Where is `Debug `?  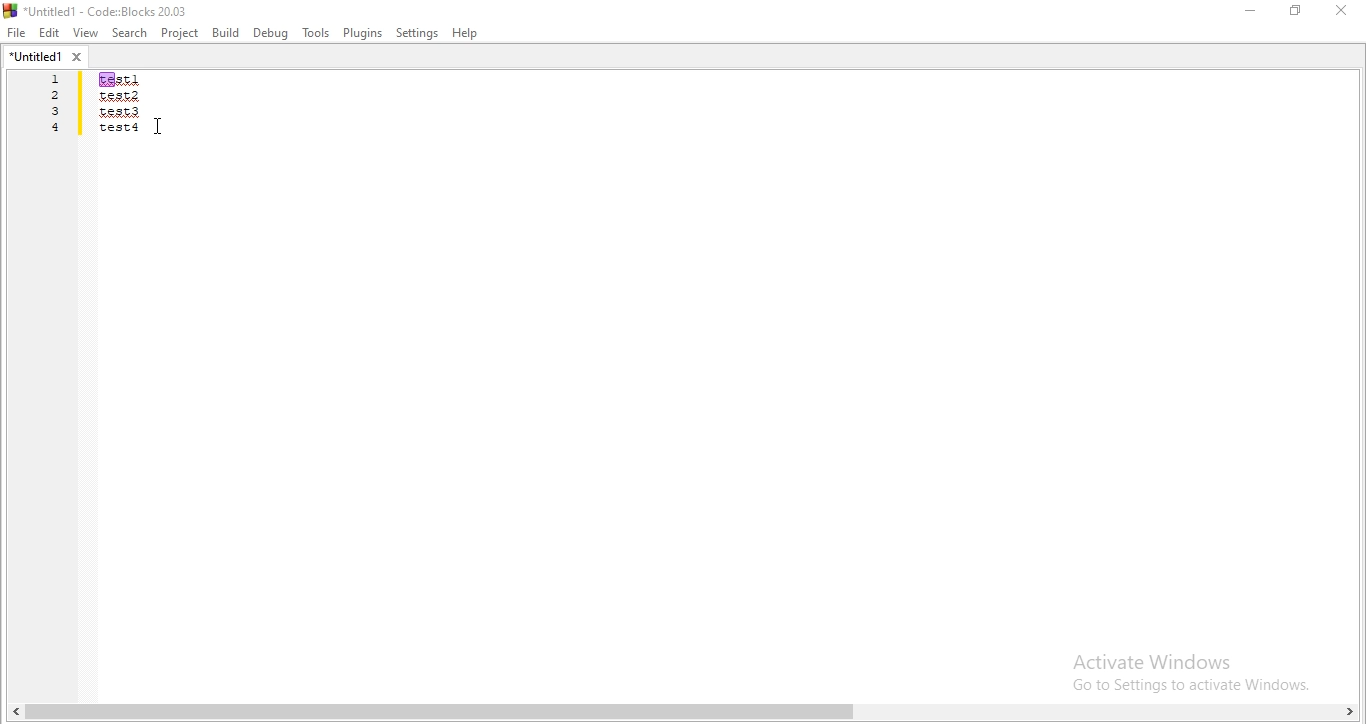 Debug  is located at coordinates (269, 31).